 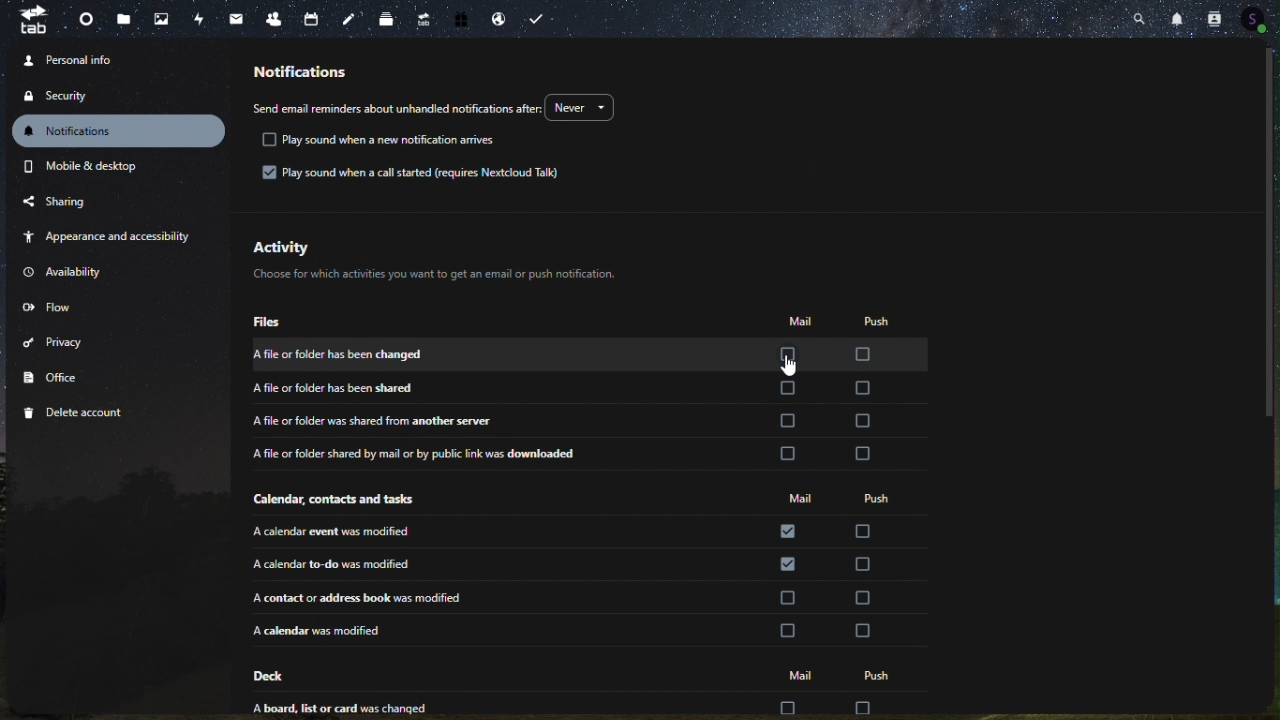 What do you see at coordinates (314, 17) in the screenshot?
I see `calendar` at bounding box center [314, 17].